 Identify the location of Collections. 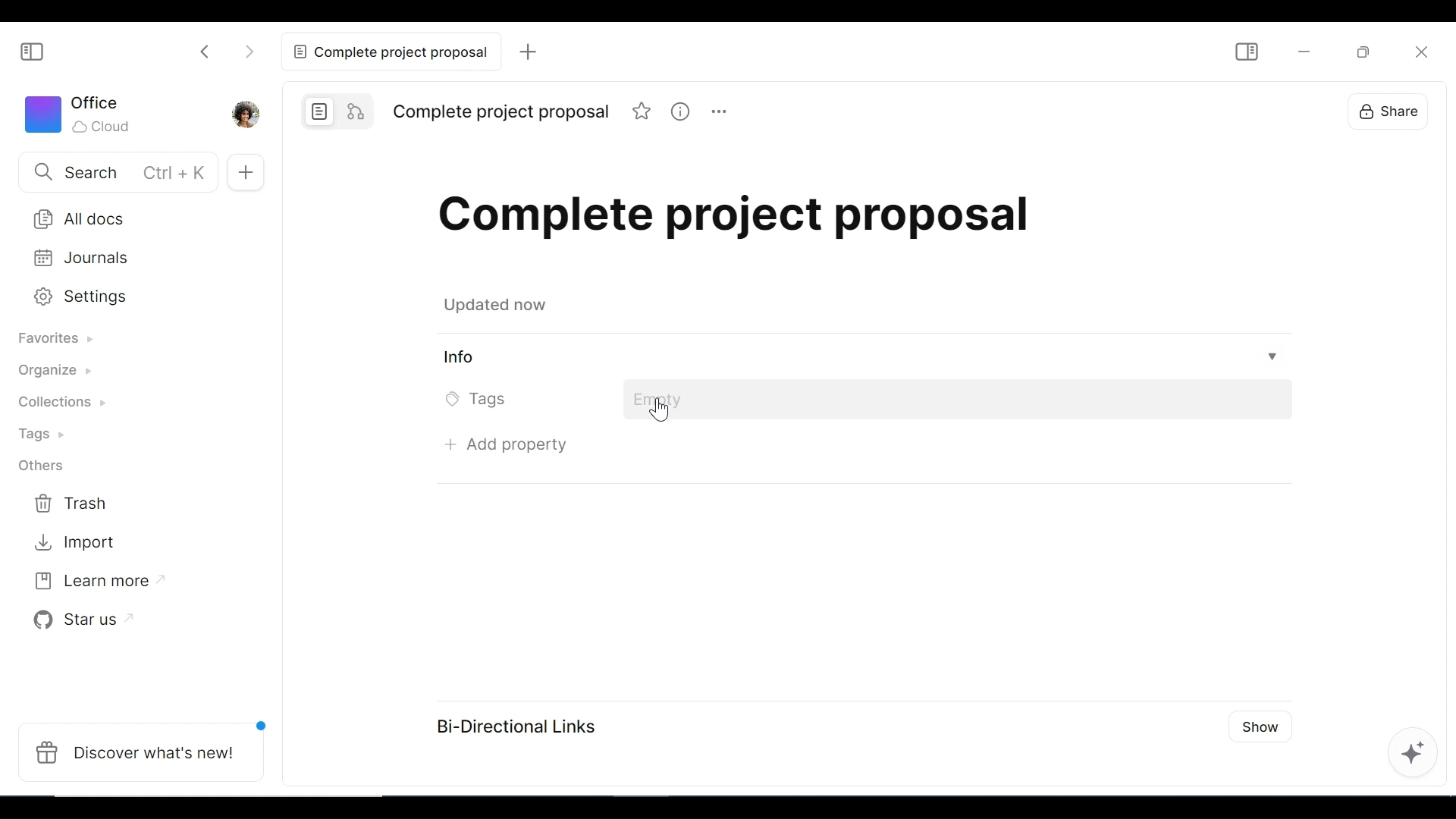
(71, 404).